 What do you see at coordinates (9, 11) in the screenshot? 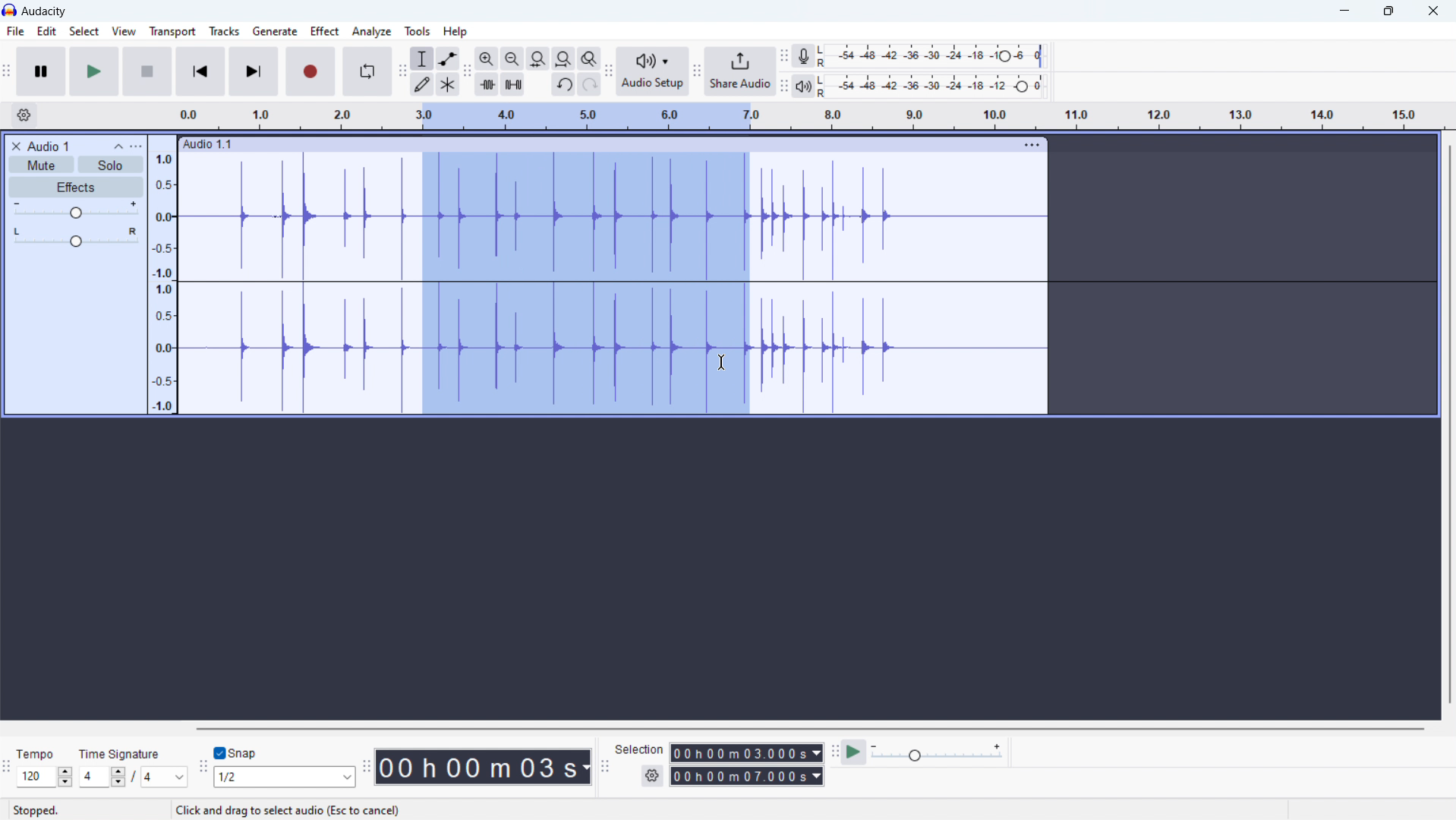
I see `logo` at bounding box center [9, 11].